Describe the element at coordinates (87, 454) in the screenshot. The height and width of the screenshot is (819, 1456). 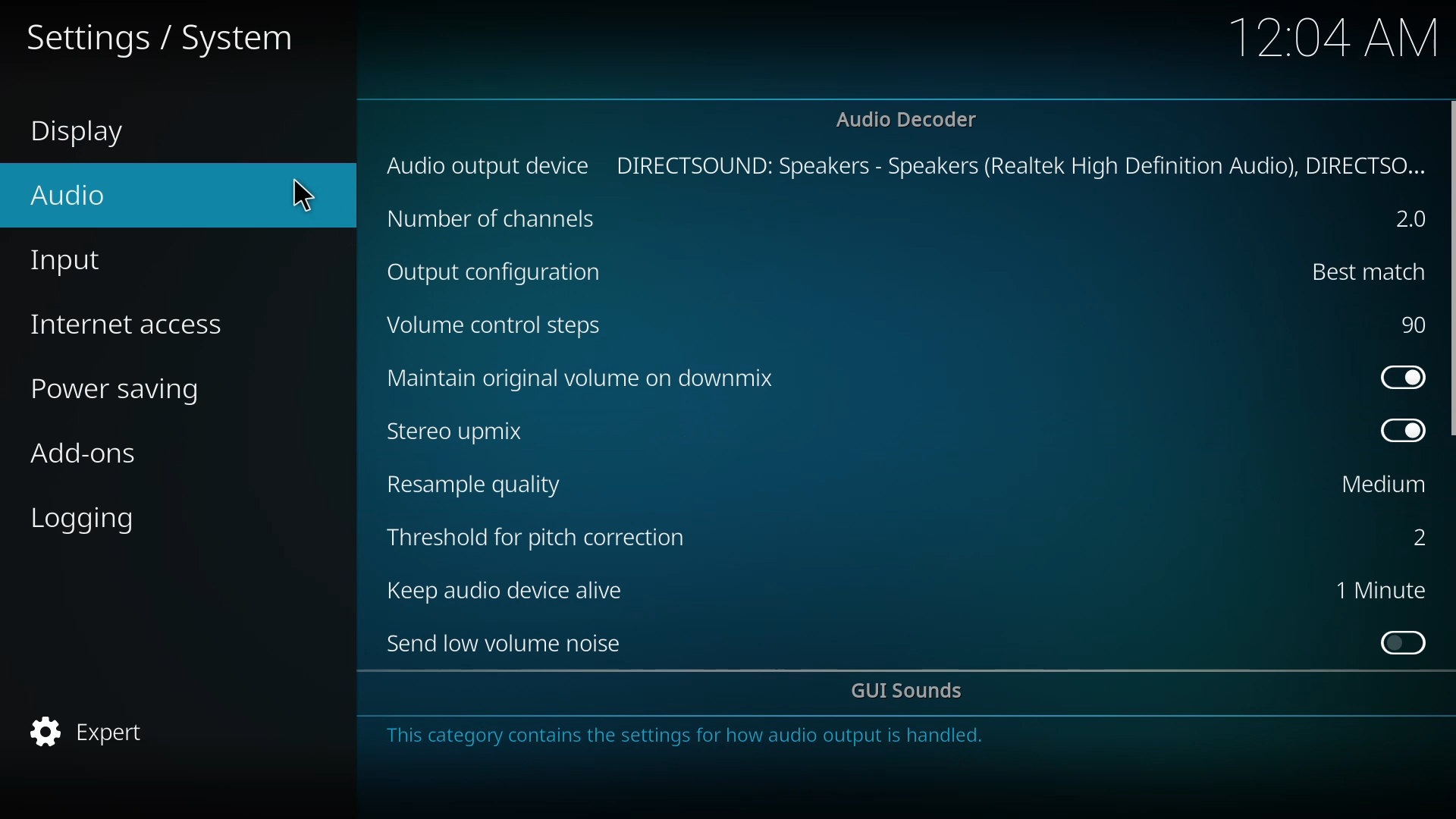
I see `add-ons` at that location.